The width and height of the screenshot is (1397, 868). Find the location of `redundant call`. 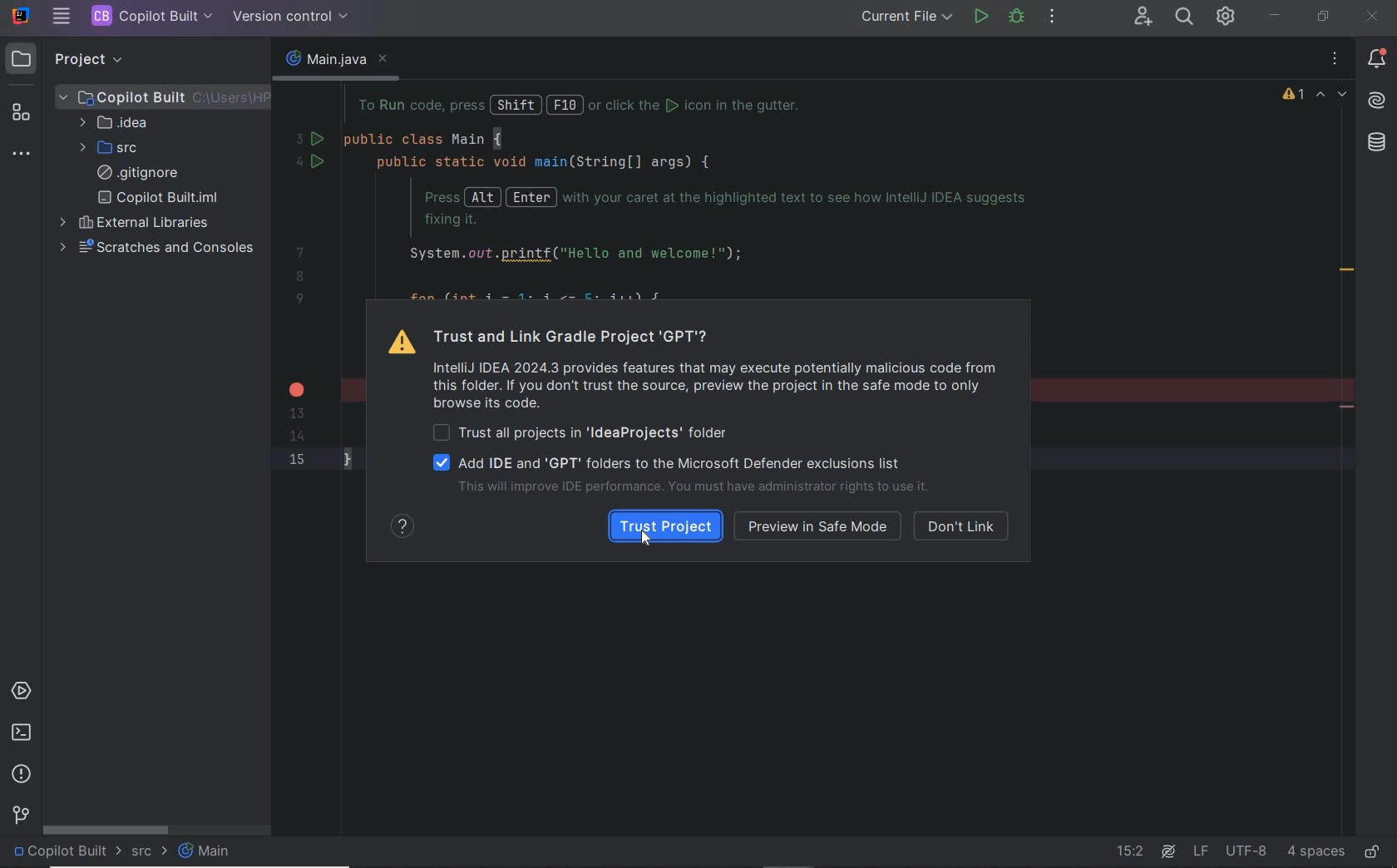

redundant call is located at coordinates (1347, 272).